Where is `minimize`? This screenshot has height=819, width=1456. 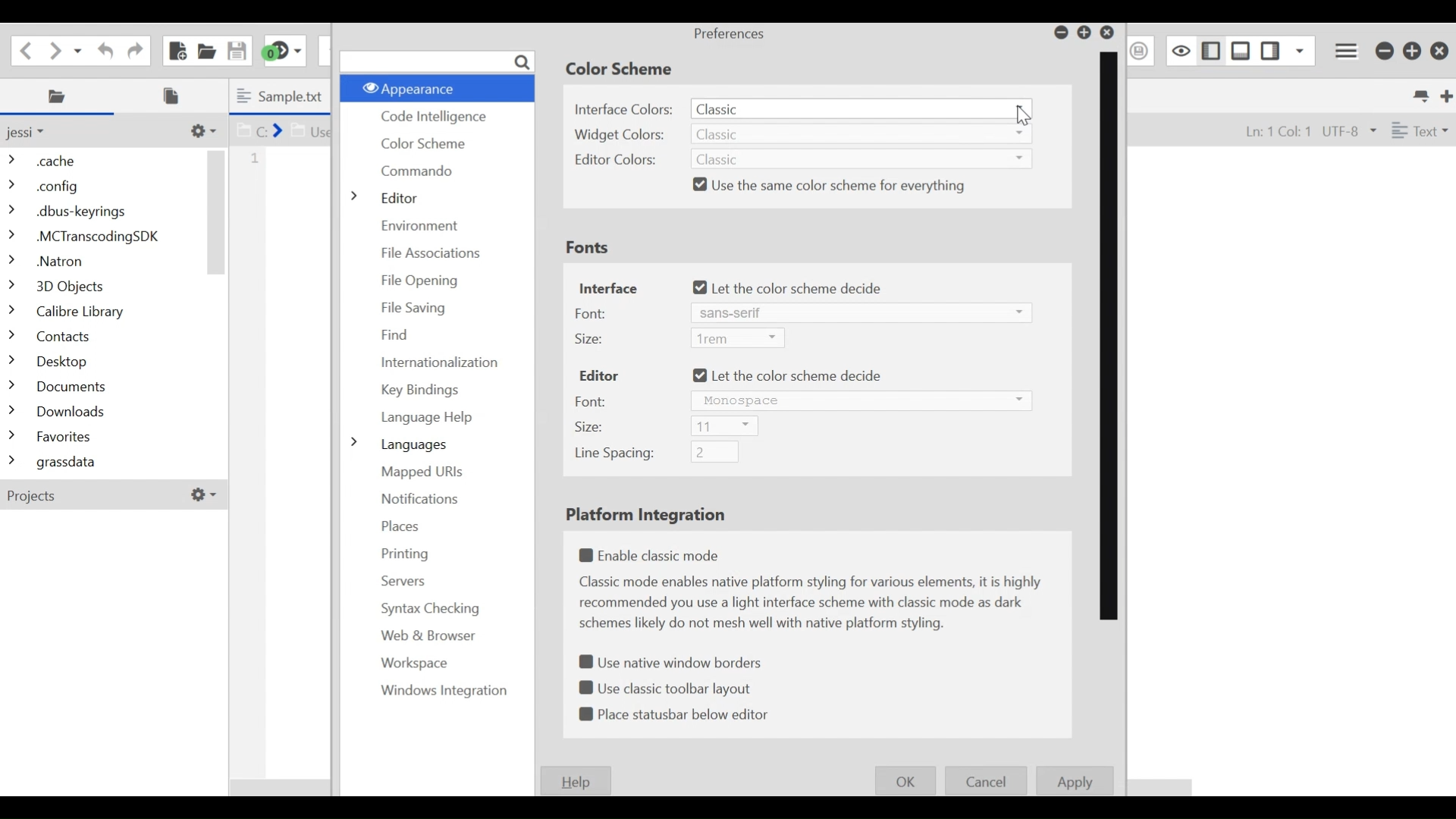
minimize is located at coordinates (1384, 51).